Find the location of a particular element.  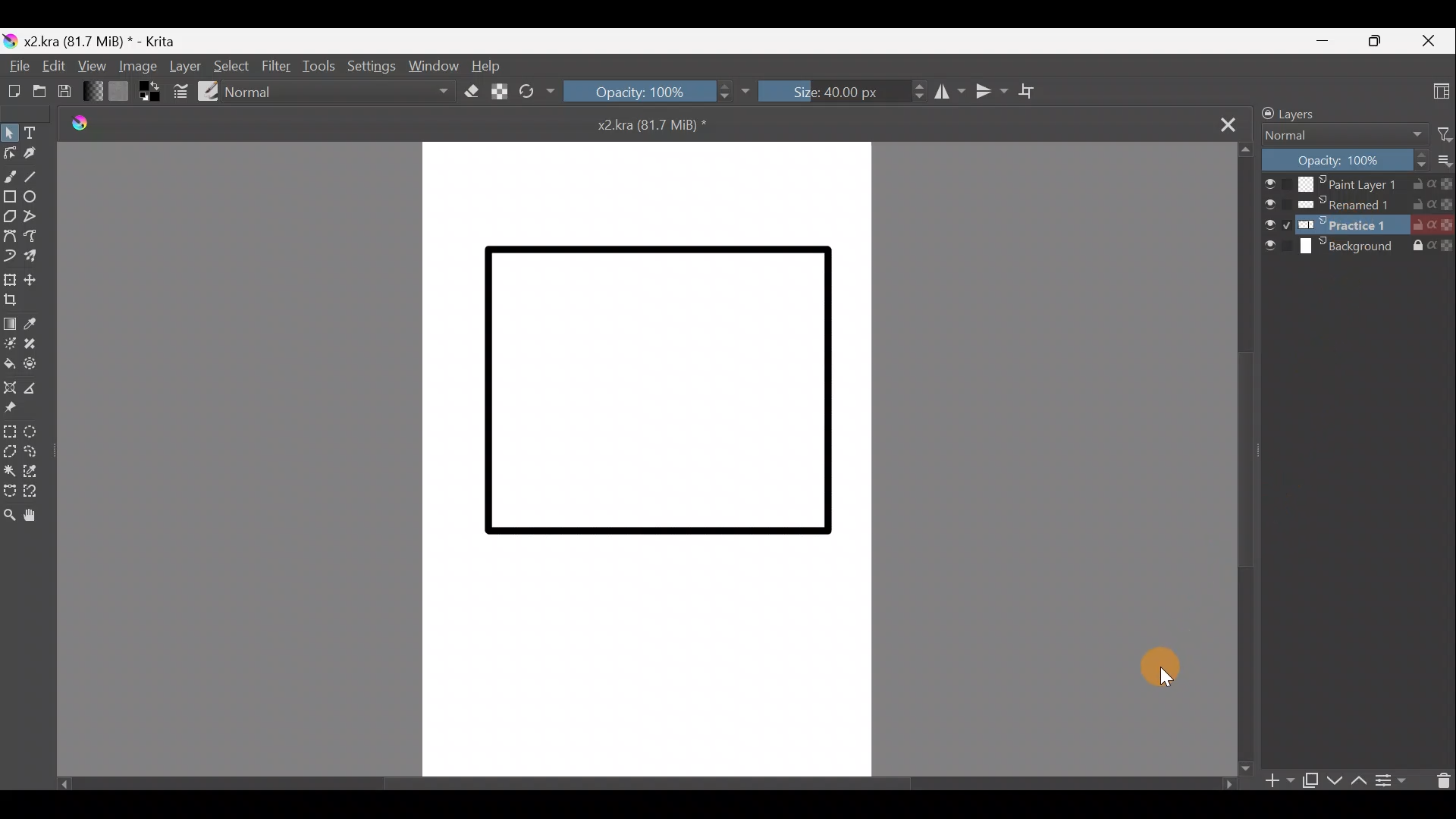

Edit brush settings is located at coordinates (179, 94).